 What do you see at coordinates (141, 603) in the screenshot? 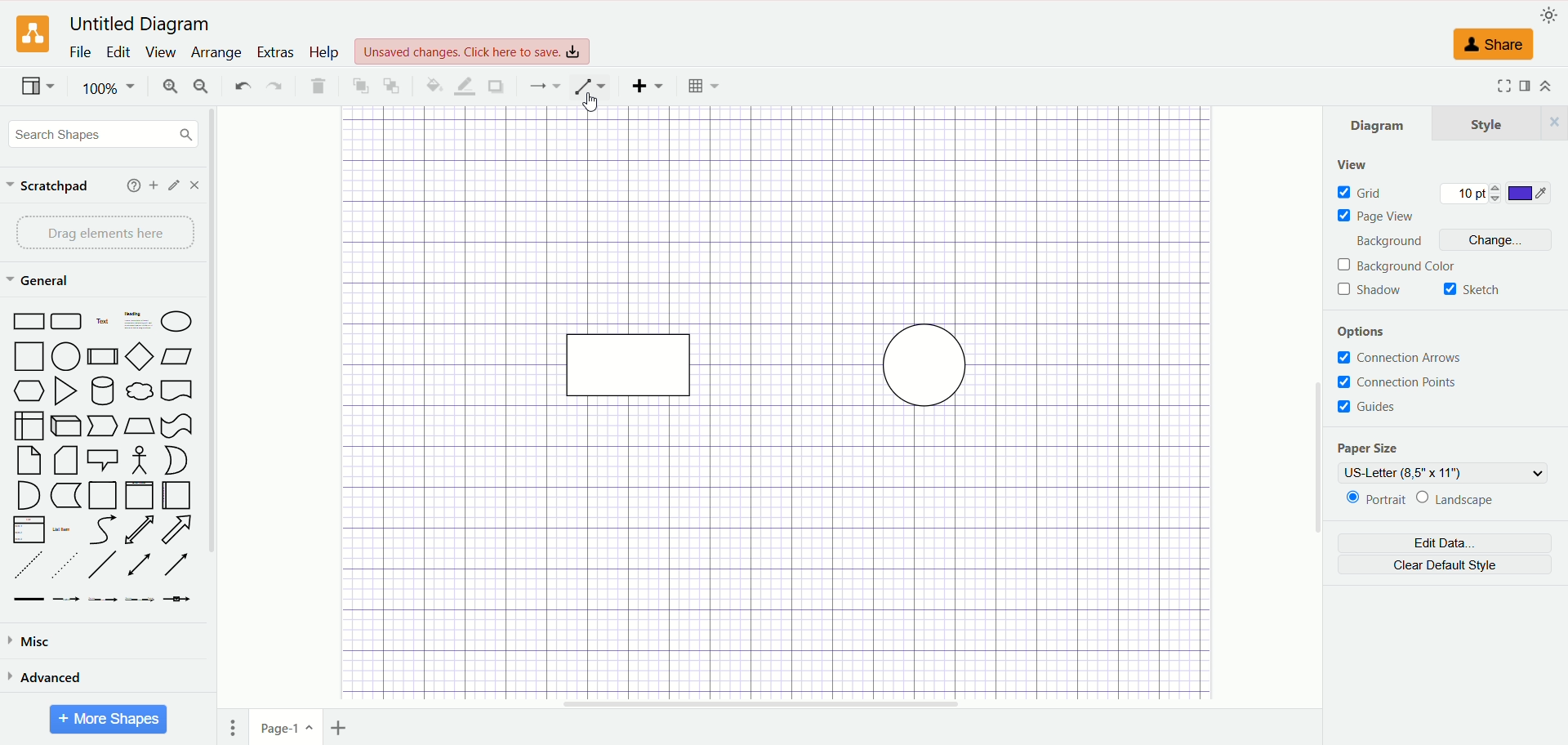
I see `Connector with 3 Labels` at bounding box center [141, 603].